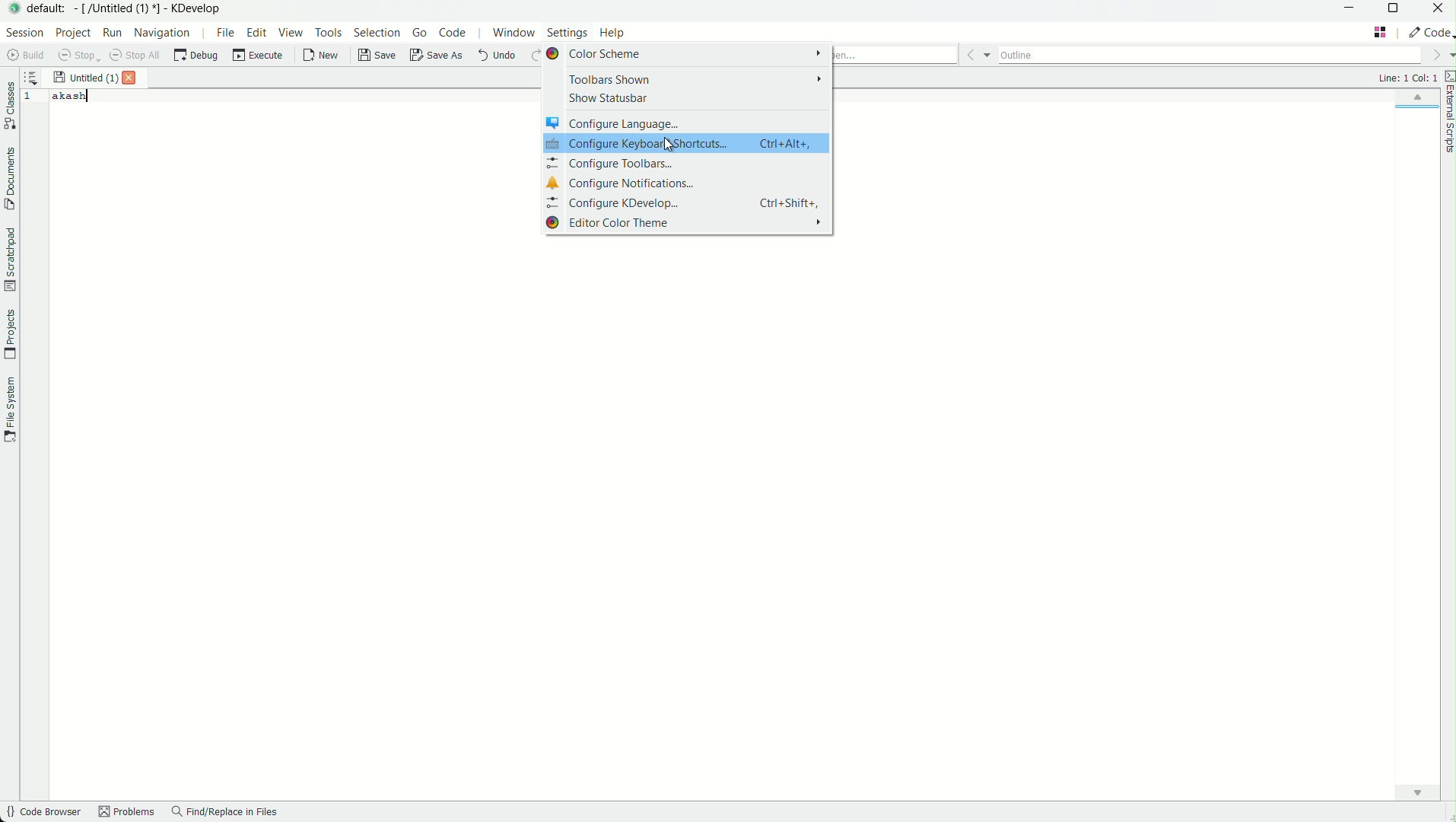  I want to click on line number, so click(31, 97).